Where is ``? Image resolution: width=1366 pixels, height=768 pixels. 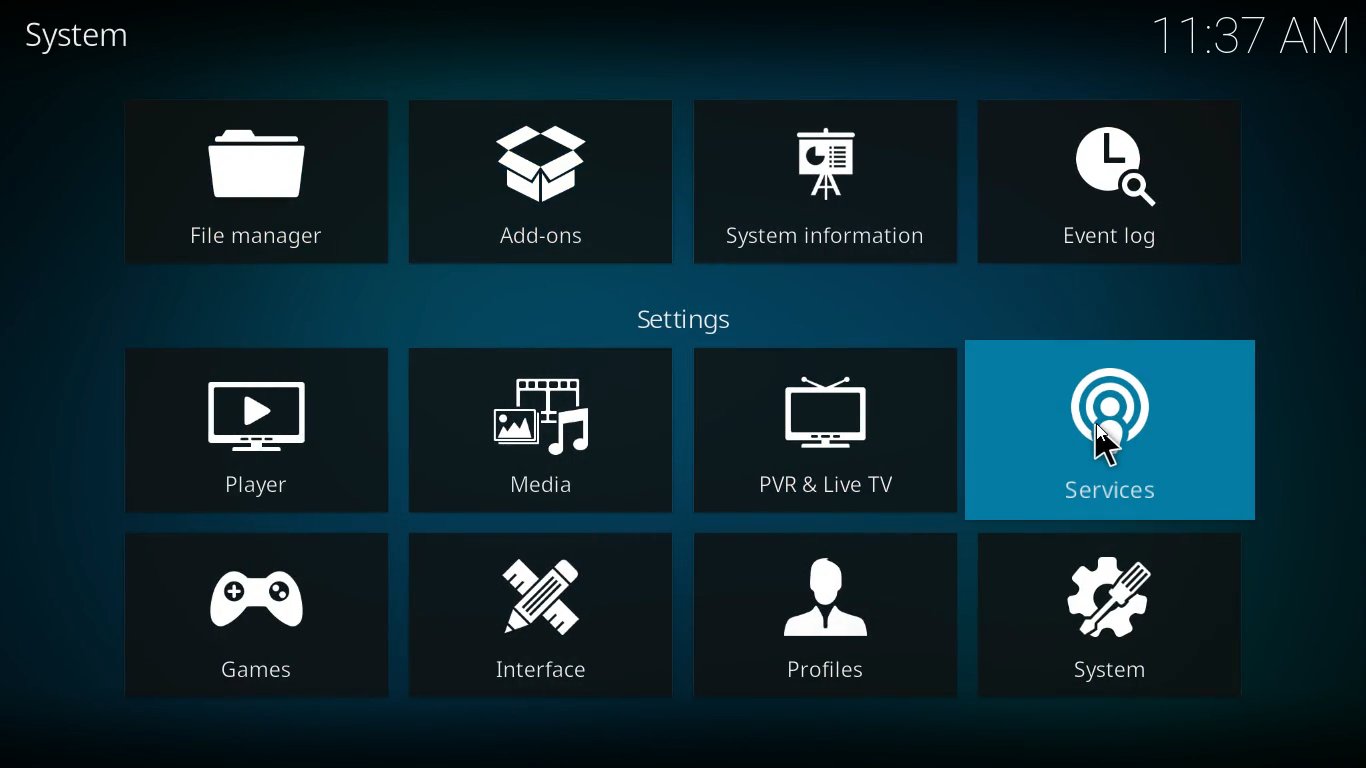
 is located at coordinates (1107, 446).